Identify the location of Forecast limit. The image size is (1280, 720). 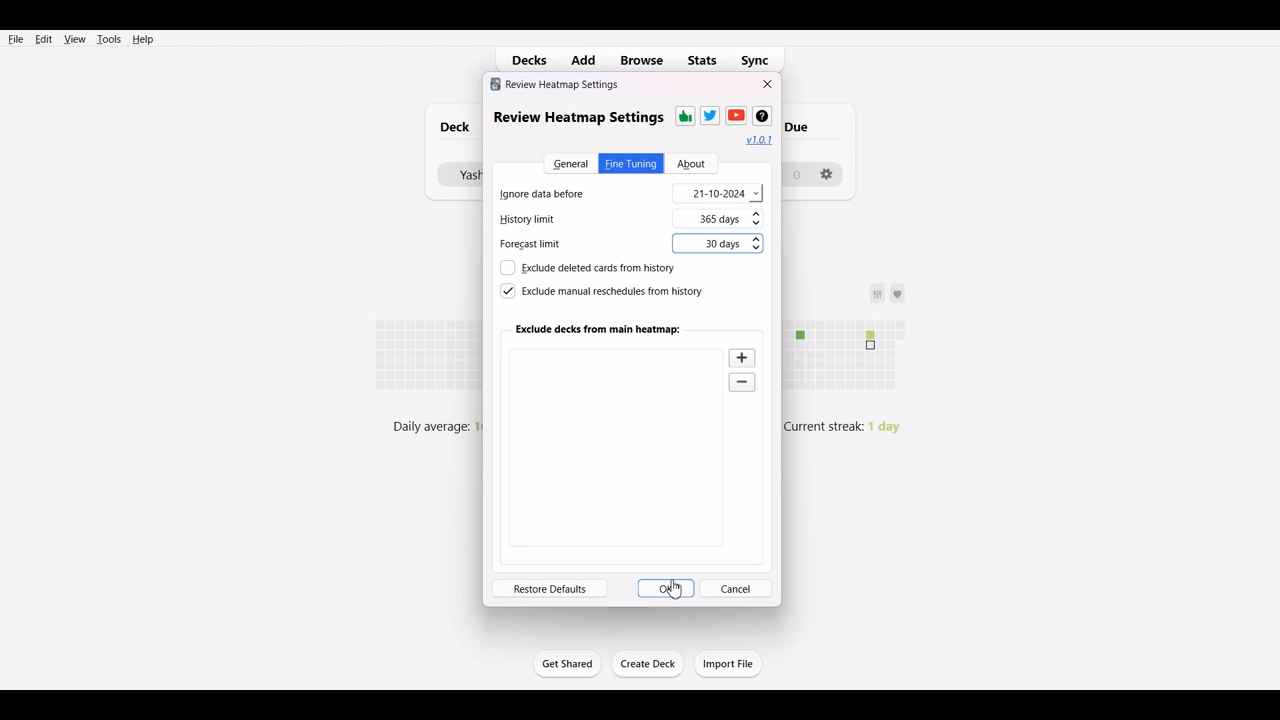
(542, 247).